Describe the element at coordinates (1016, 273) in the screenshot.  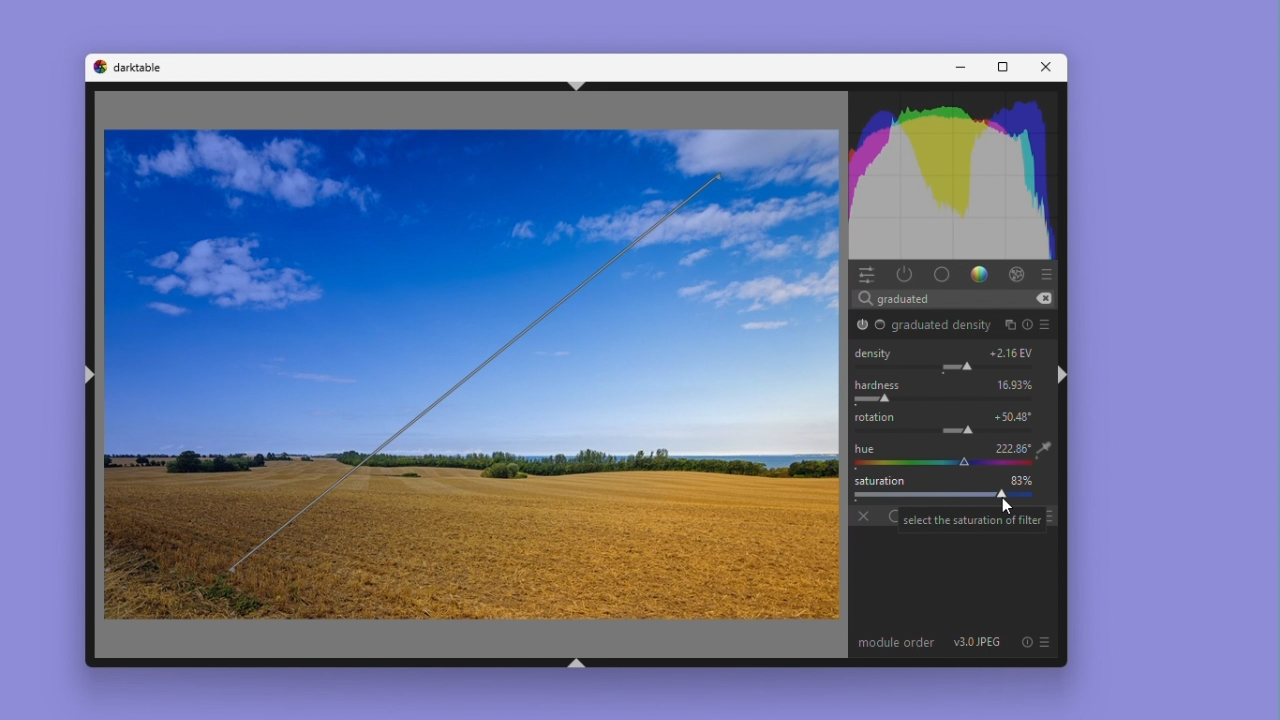
I see `effect` at that location.